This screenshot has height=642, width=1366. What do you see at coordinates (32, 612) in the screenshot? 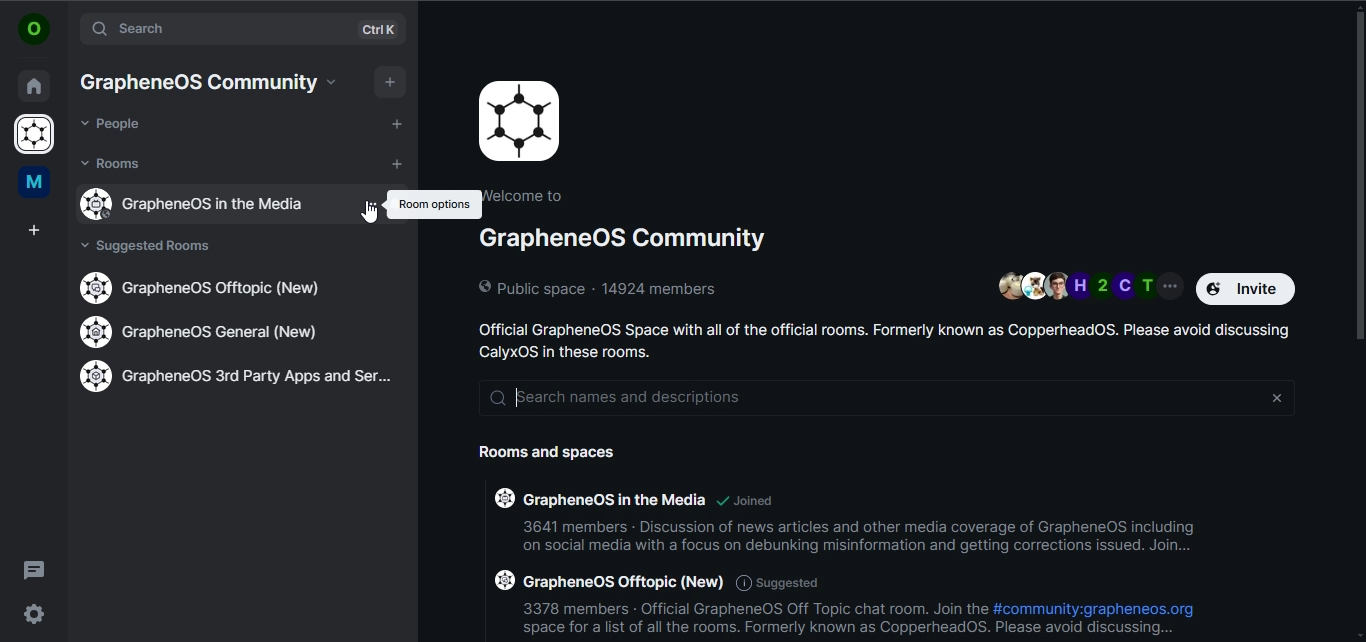
I see `quicker settings` at bounding box center [32, 612].